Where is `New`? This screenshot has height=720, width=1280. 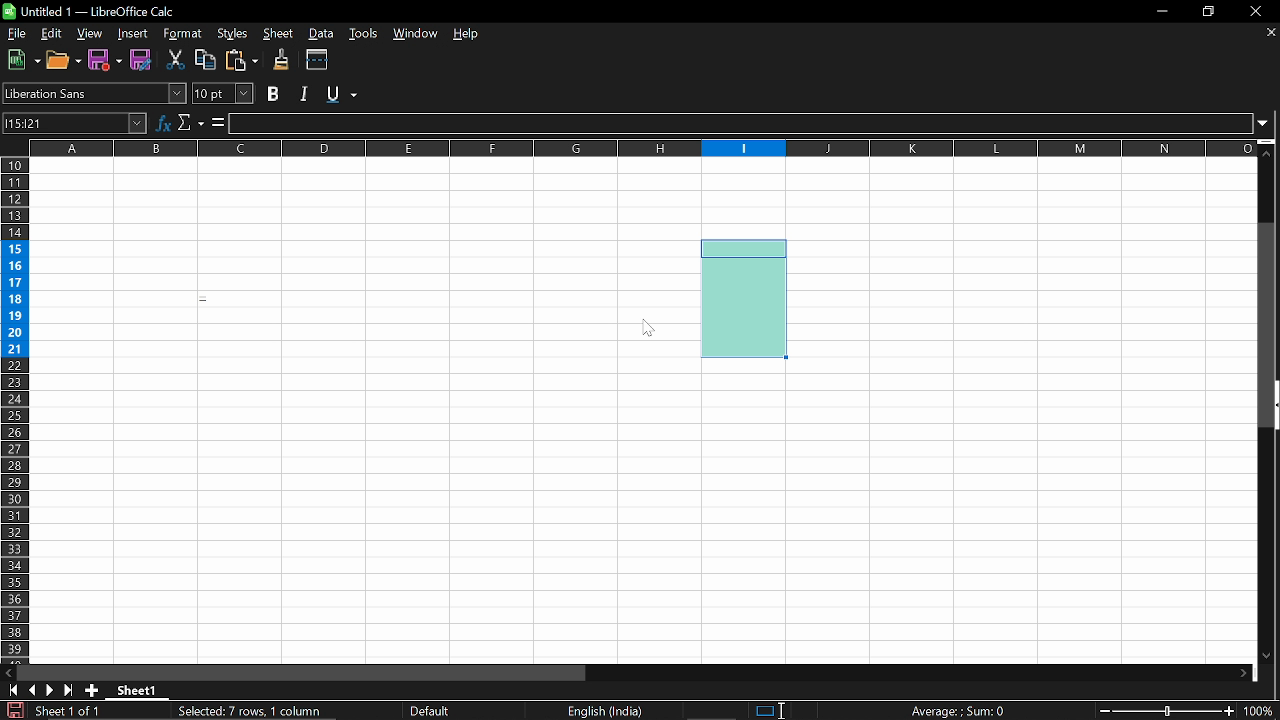
New is located at coordinates (20, 61).